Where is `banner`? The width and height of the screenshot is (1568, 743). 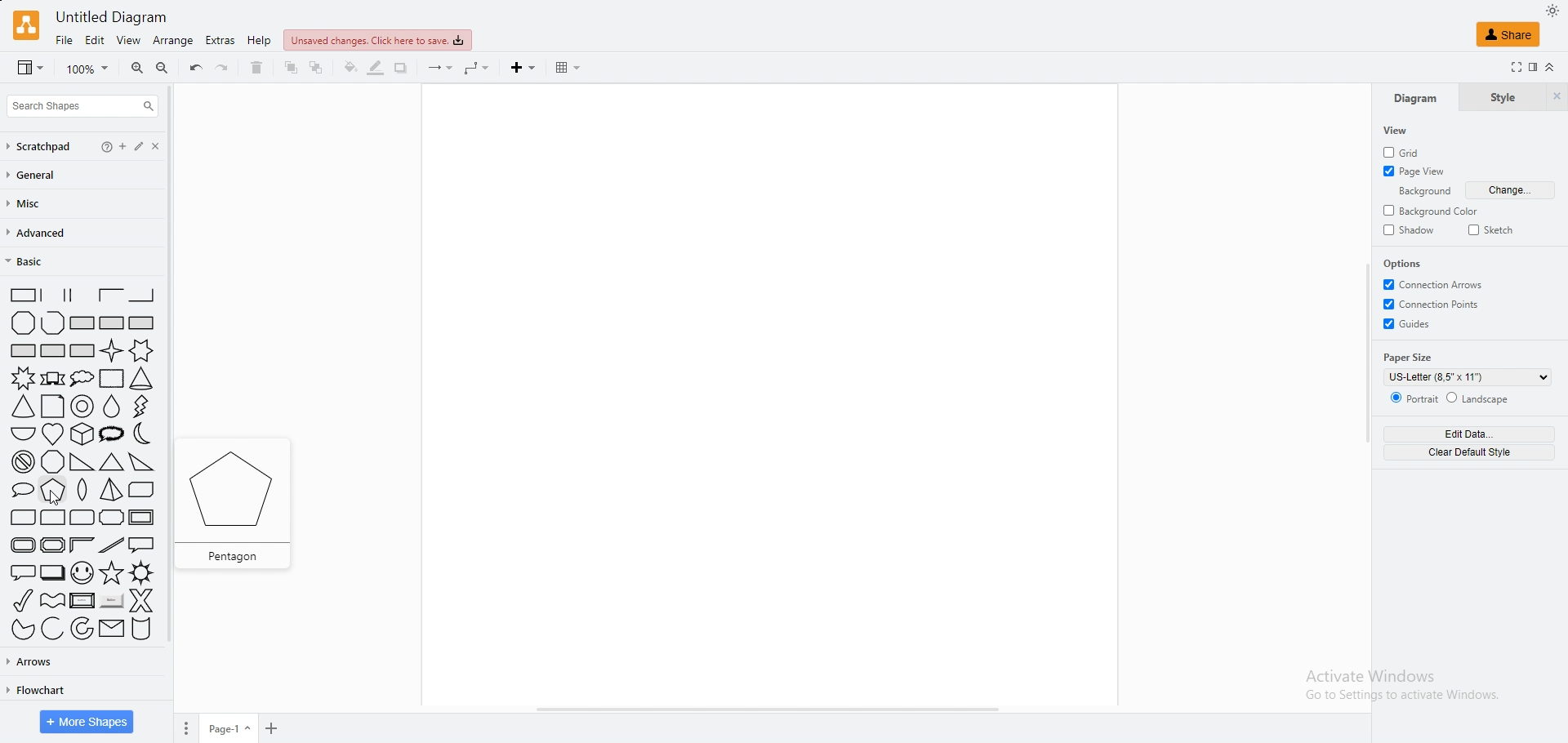 banner is located at coordinates (52, 378).